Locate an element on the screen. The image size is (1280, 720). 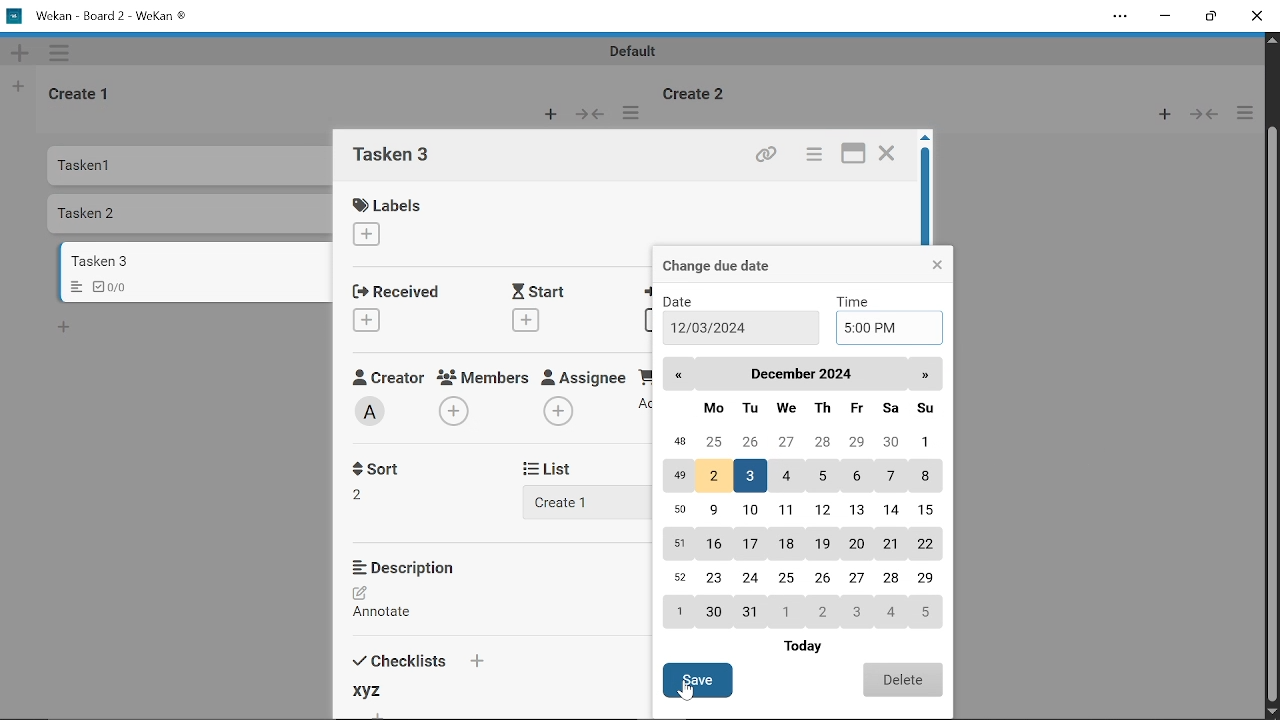
Sort is located at coordinates (369, 493).